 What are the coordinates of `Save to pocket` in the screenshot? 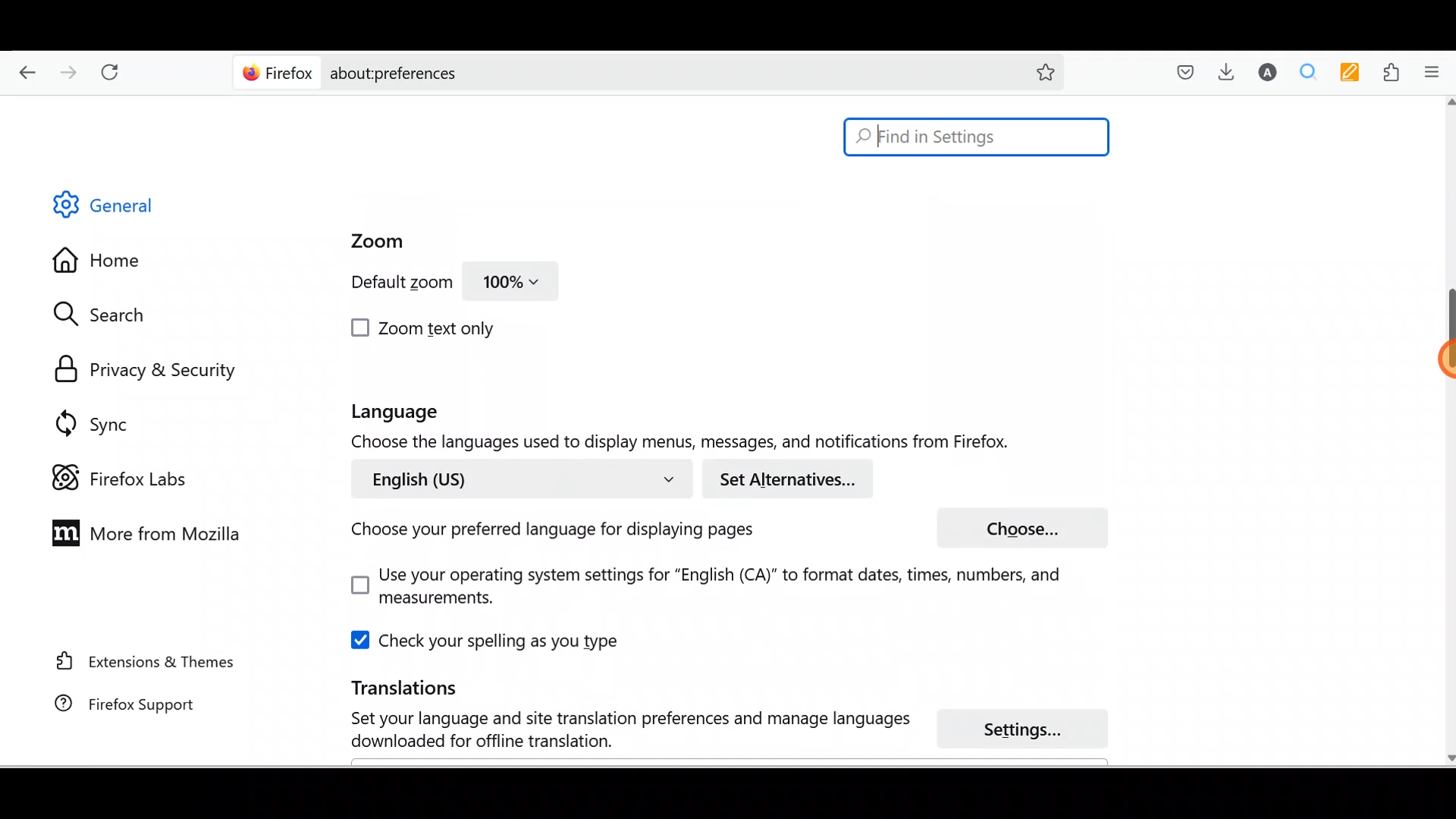 It's located at (1180, 73).